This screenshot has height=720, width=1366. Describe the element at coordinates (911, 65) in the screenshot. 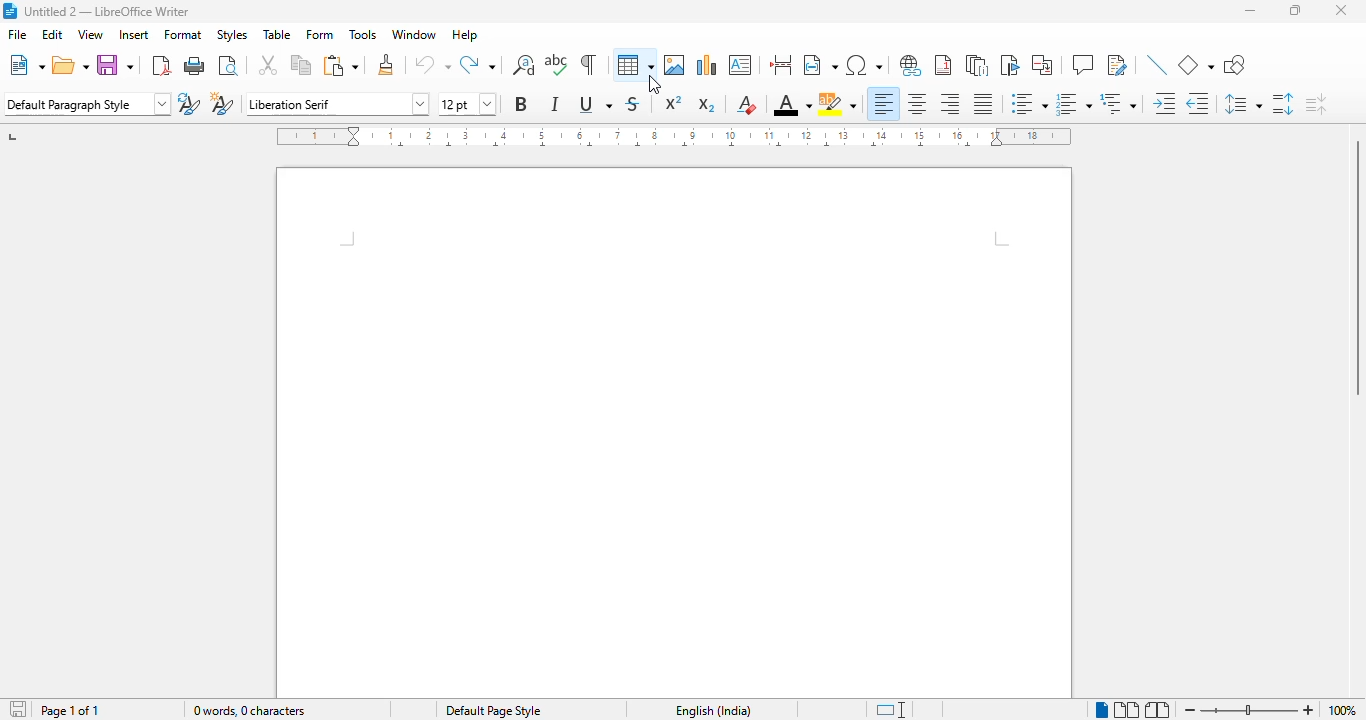

I see `insert hyperlink` at that location.